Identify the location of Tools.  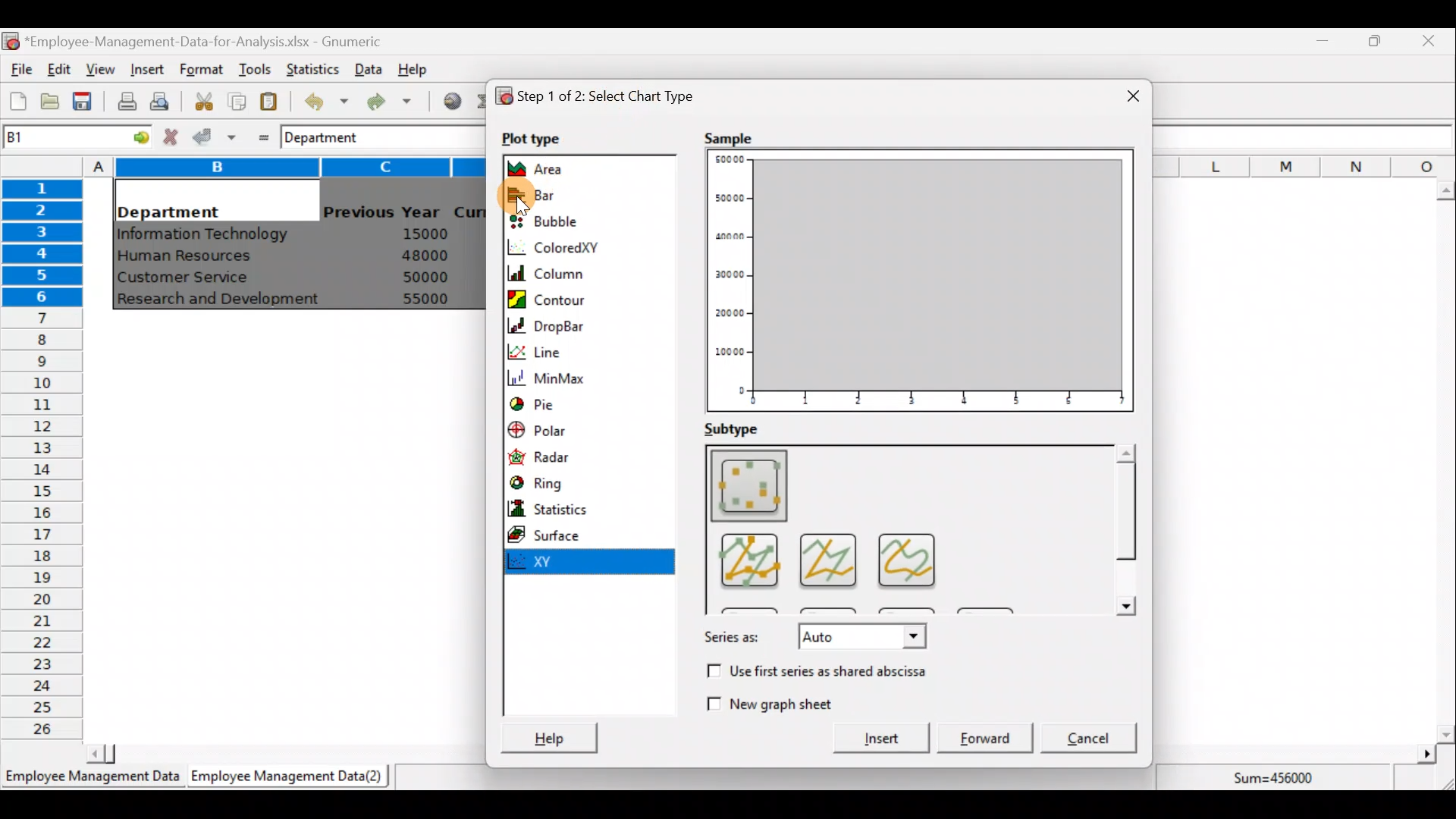
(254, 71).